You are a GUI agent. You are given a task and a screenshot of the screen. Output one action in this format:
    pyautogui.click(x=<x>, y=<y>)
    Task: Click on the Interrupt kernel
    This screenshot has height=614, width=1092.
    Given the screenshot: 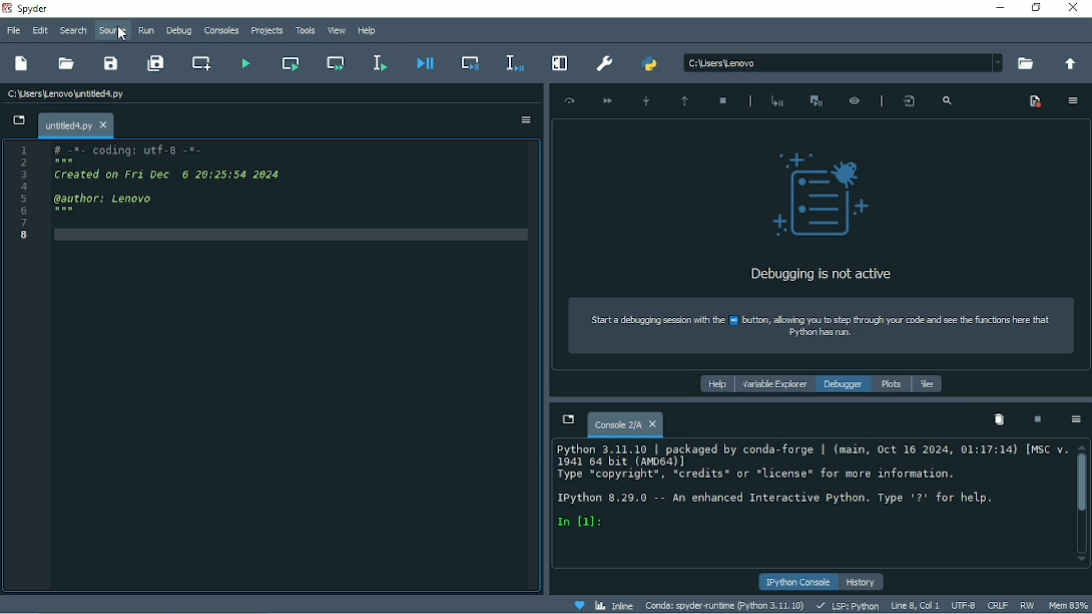 What is the action you would take?
    pyautogui.click(x=1035, y=420)
    